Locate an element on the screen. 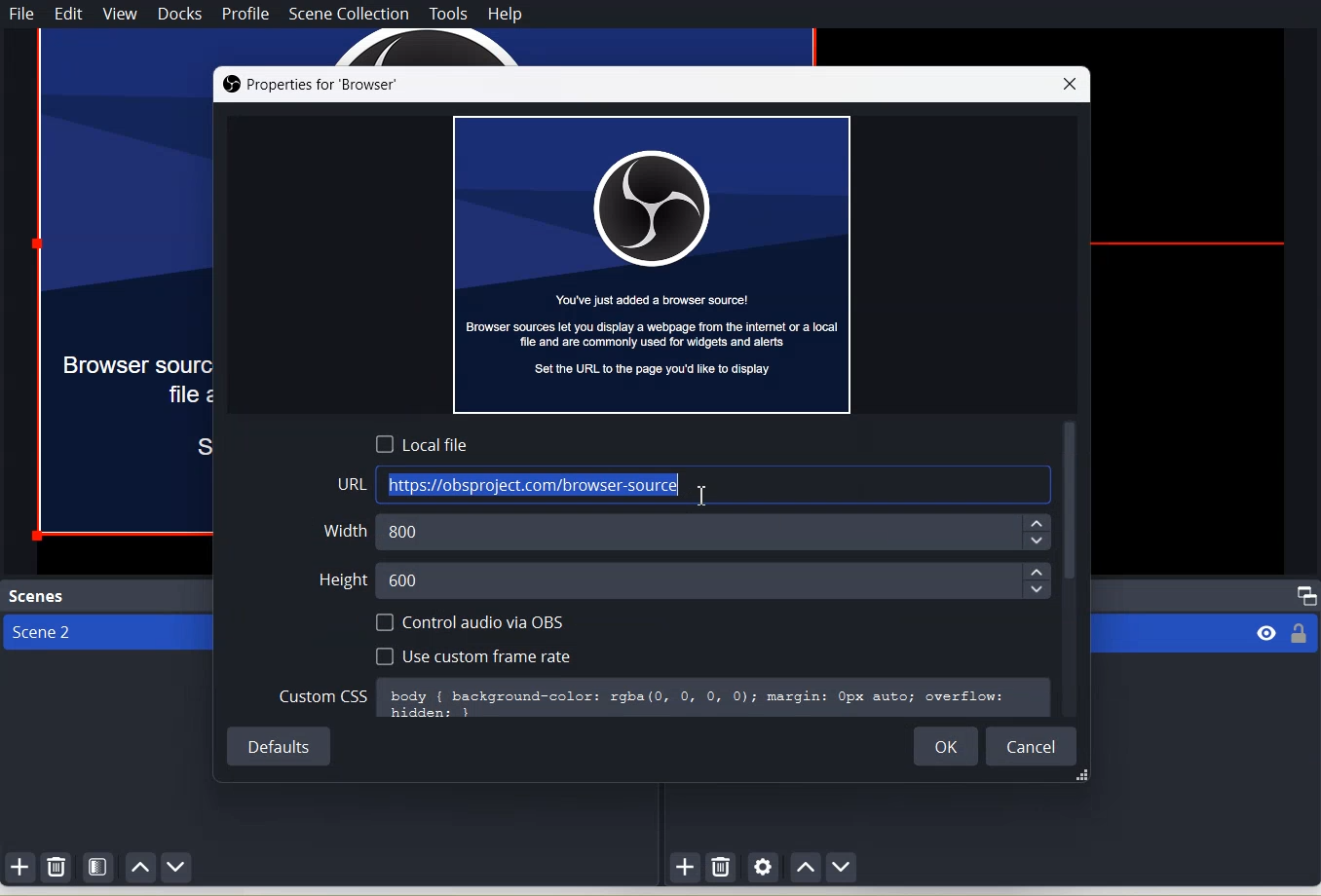 The height and width of the screenshot is (896, 1321). Docks is located at coordinates (182, 15).